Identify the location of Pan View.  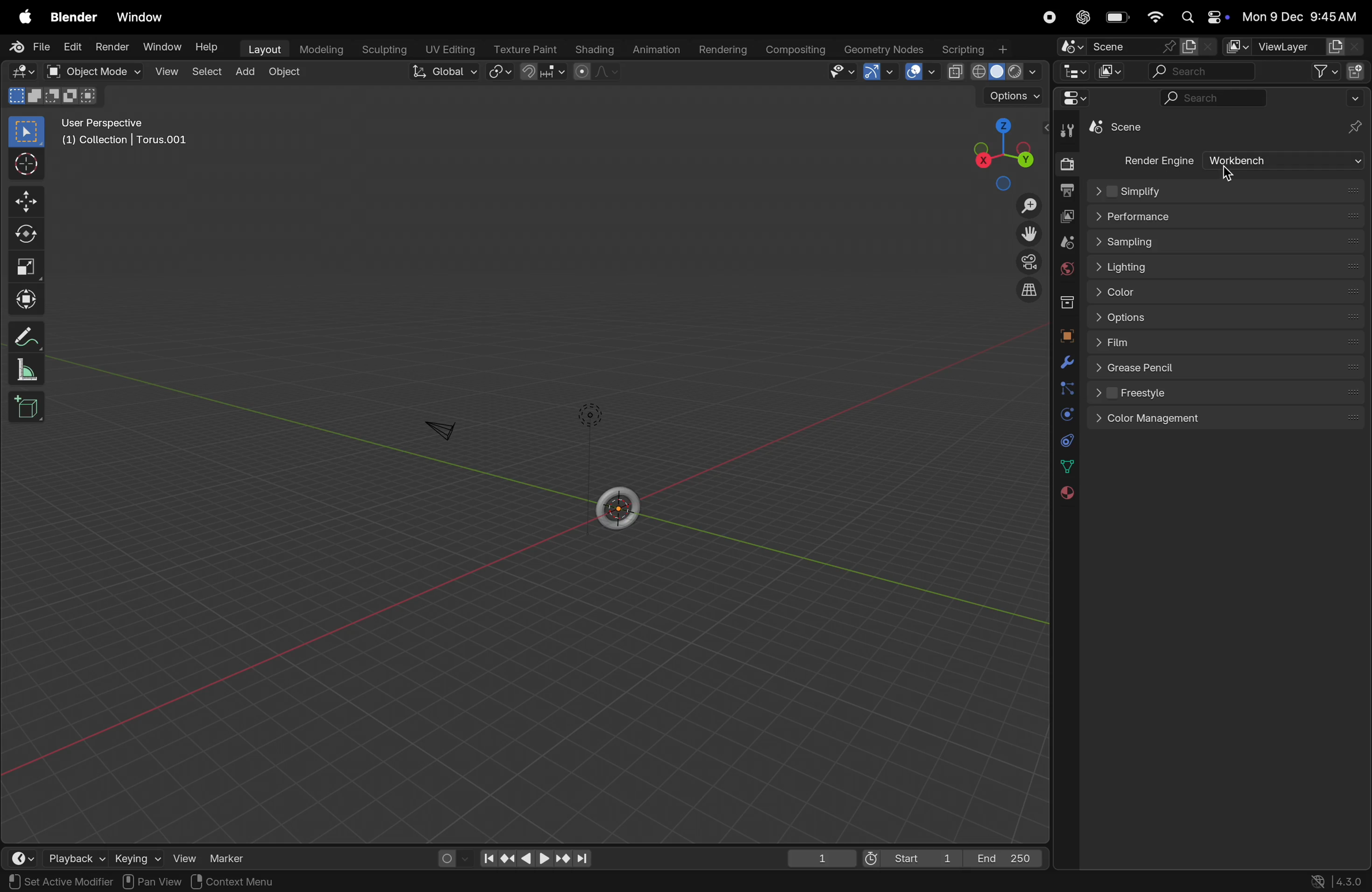
(151, 882).